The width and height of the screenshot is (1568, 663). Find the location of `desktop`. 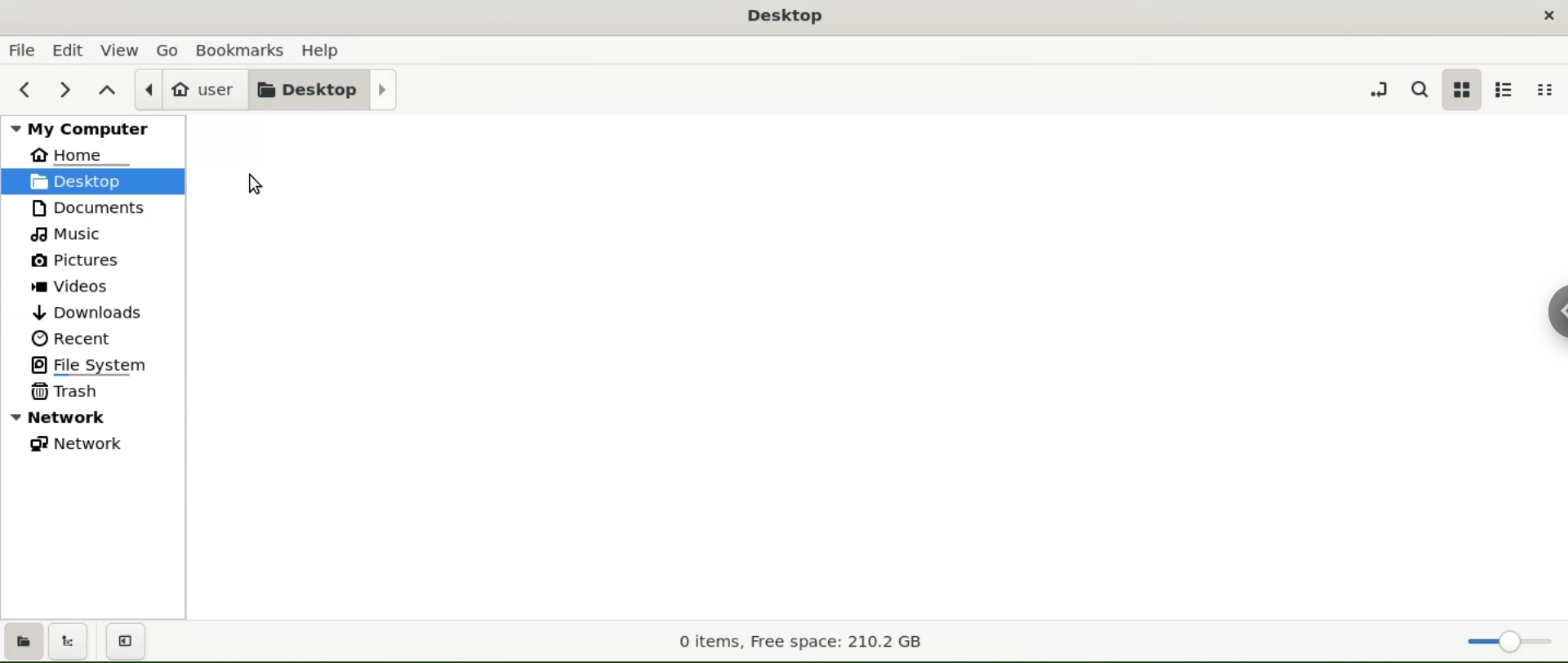

desktop is located at coordinates (327, 88).